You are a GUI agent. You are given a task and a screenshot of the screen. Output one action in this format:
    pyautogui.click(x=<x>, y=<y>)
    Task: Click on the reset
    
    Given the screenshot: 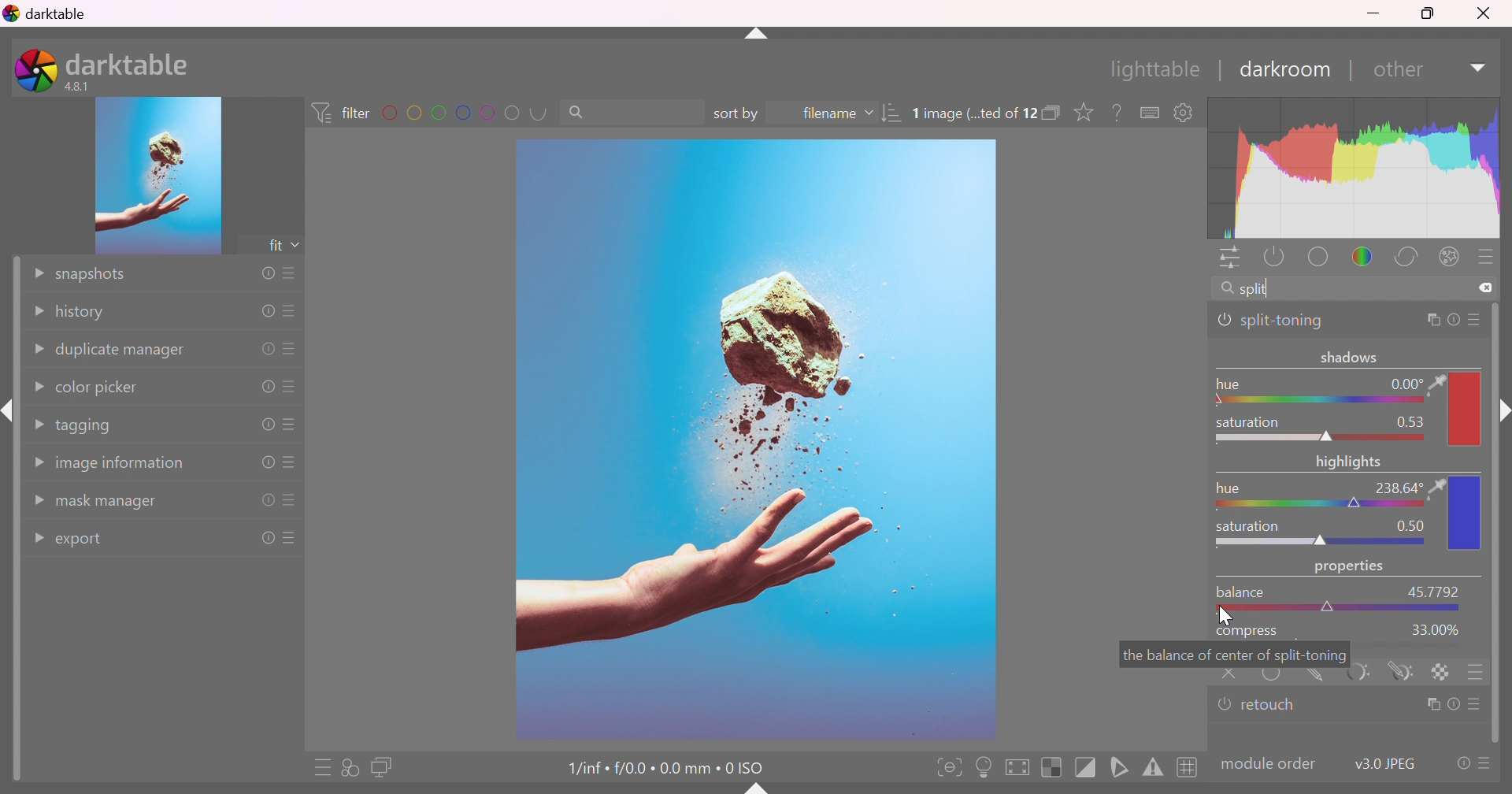 What is the action you would take?
    pyautogui.click(x=1462, y=763)
    